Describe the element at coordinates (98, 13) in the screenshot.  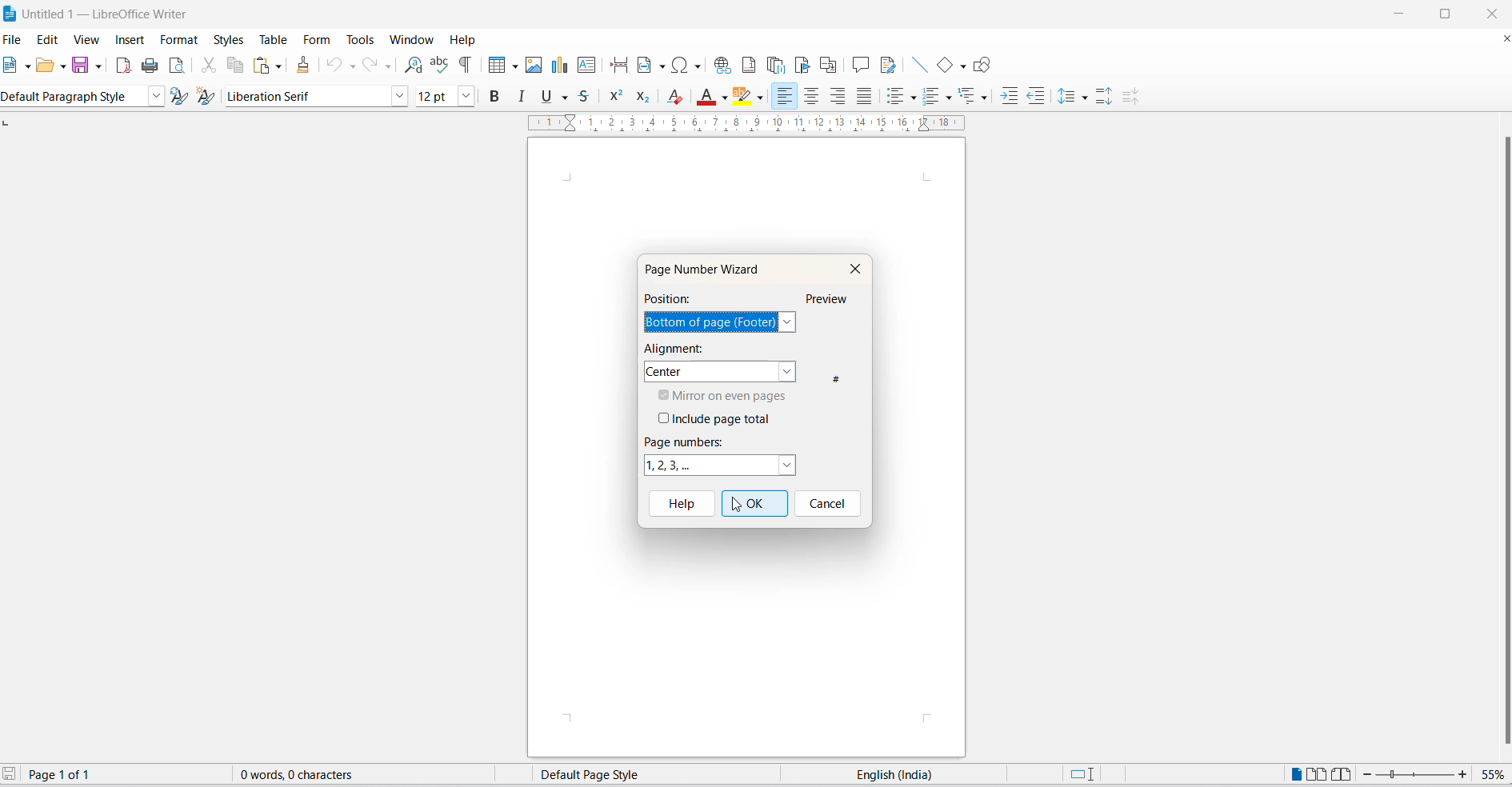
I see `Untitled 1 - Libre Office Writer` at that location.